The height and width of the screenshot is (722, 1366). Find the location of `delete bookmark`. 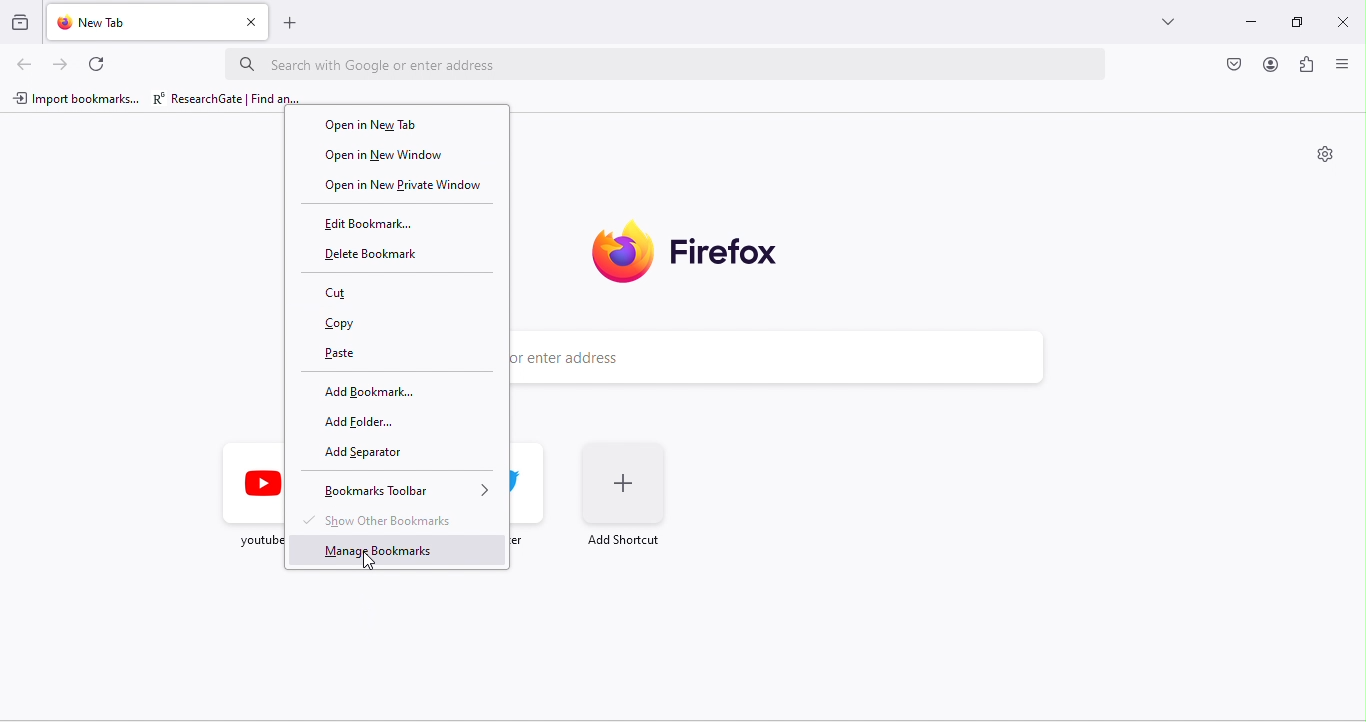

delete bookmark is located at coordinates (382, 255).